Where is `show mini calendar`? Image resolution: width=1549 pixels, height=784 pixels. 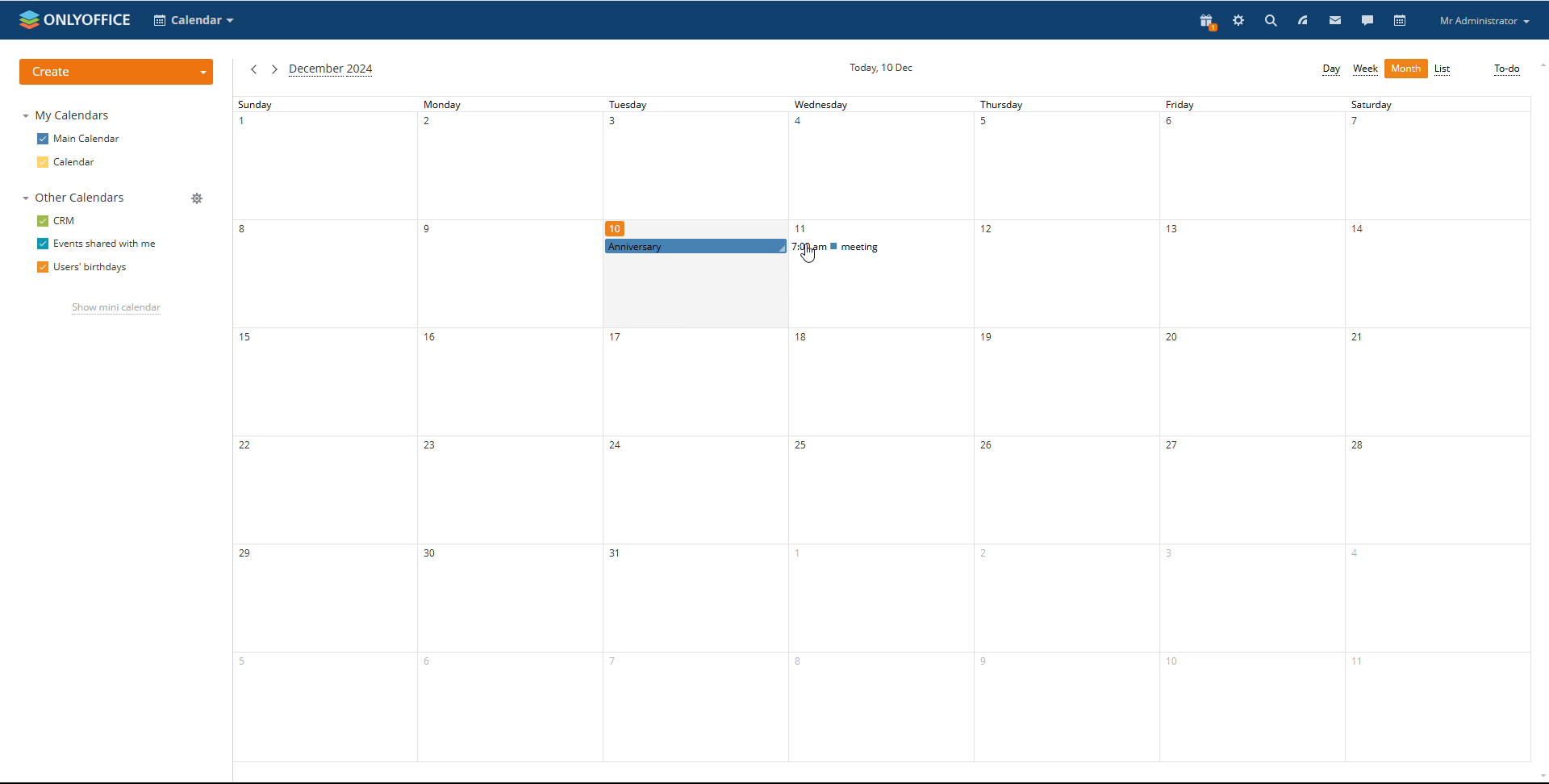
show mini calendar is located at coordinates (116, 310).